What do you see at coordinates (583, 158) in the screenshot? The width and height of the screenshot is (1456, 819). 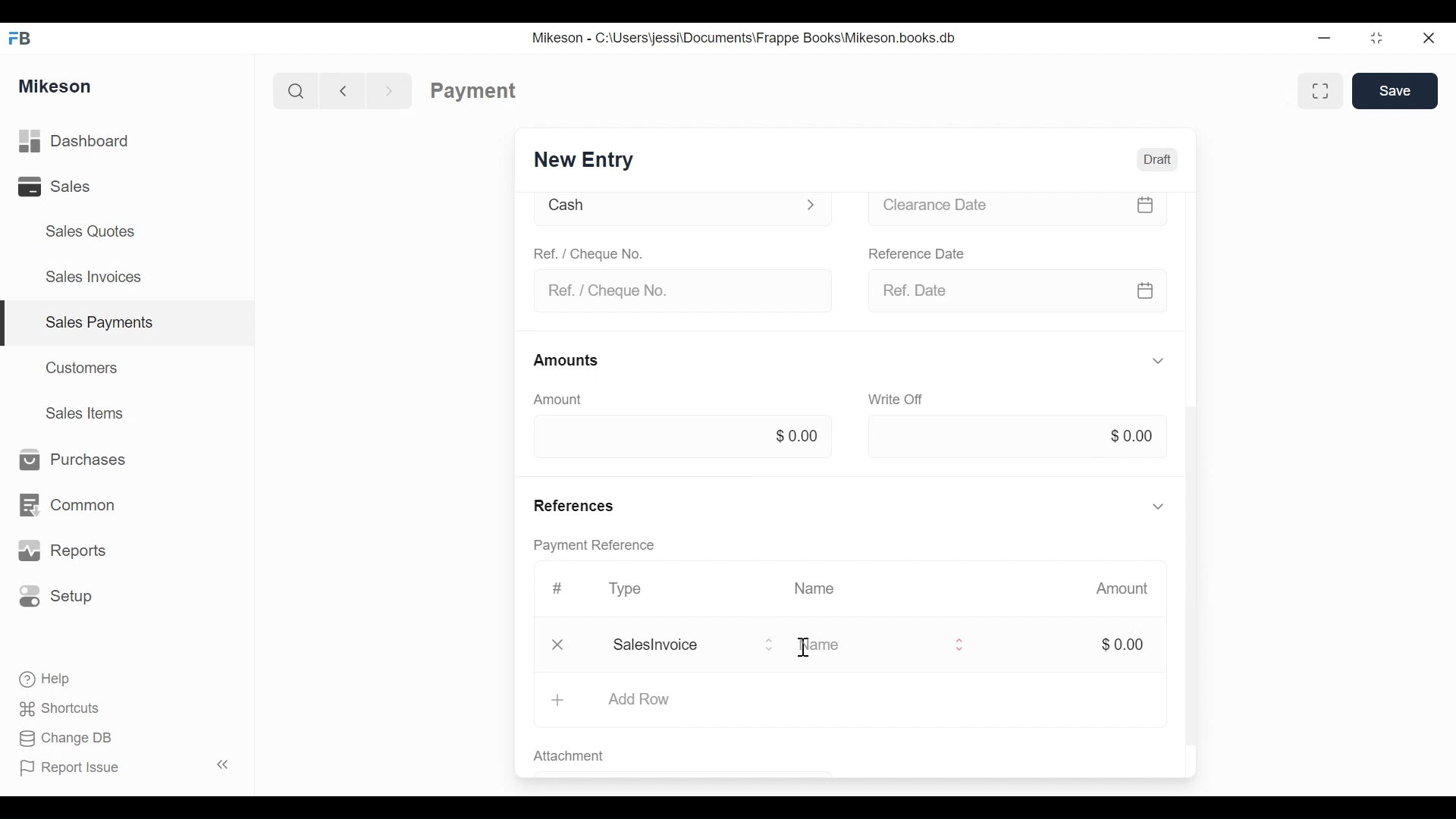 I see `New Entry` at bounding box center [583, 158].